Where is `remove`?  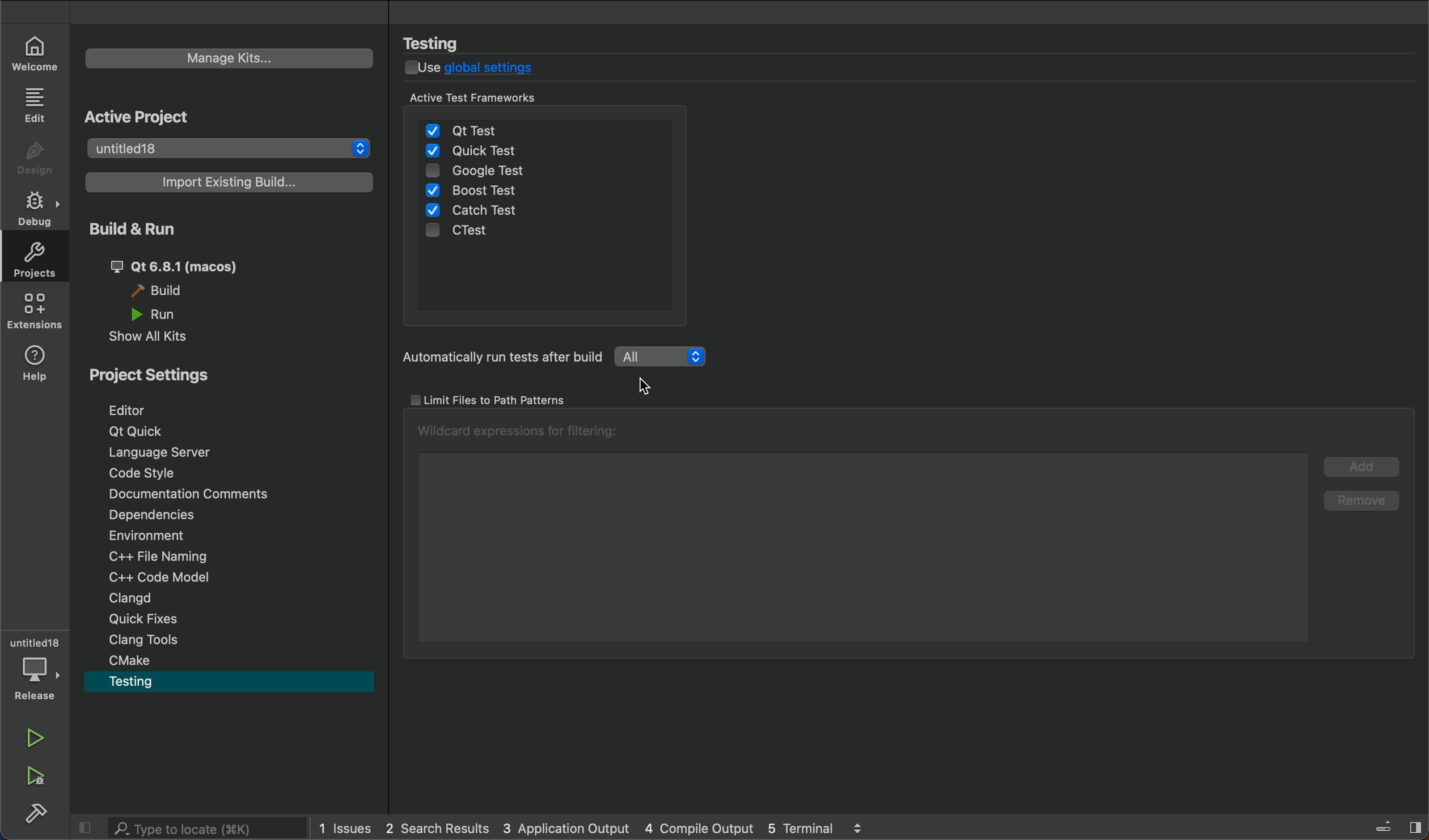 remove is located at coordinates (1362, 499).